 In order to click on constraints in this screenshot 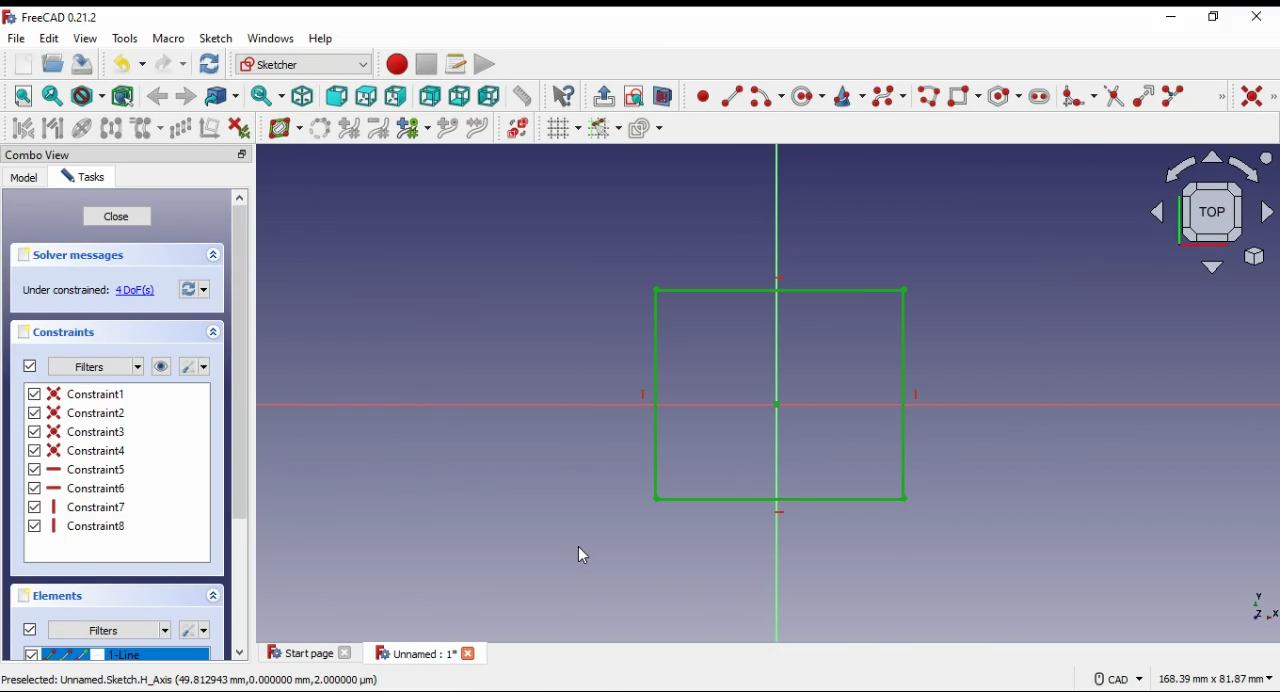, I will do `click(62, 333)`.